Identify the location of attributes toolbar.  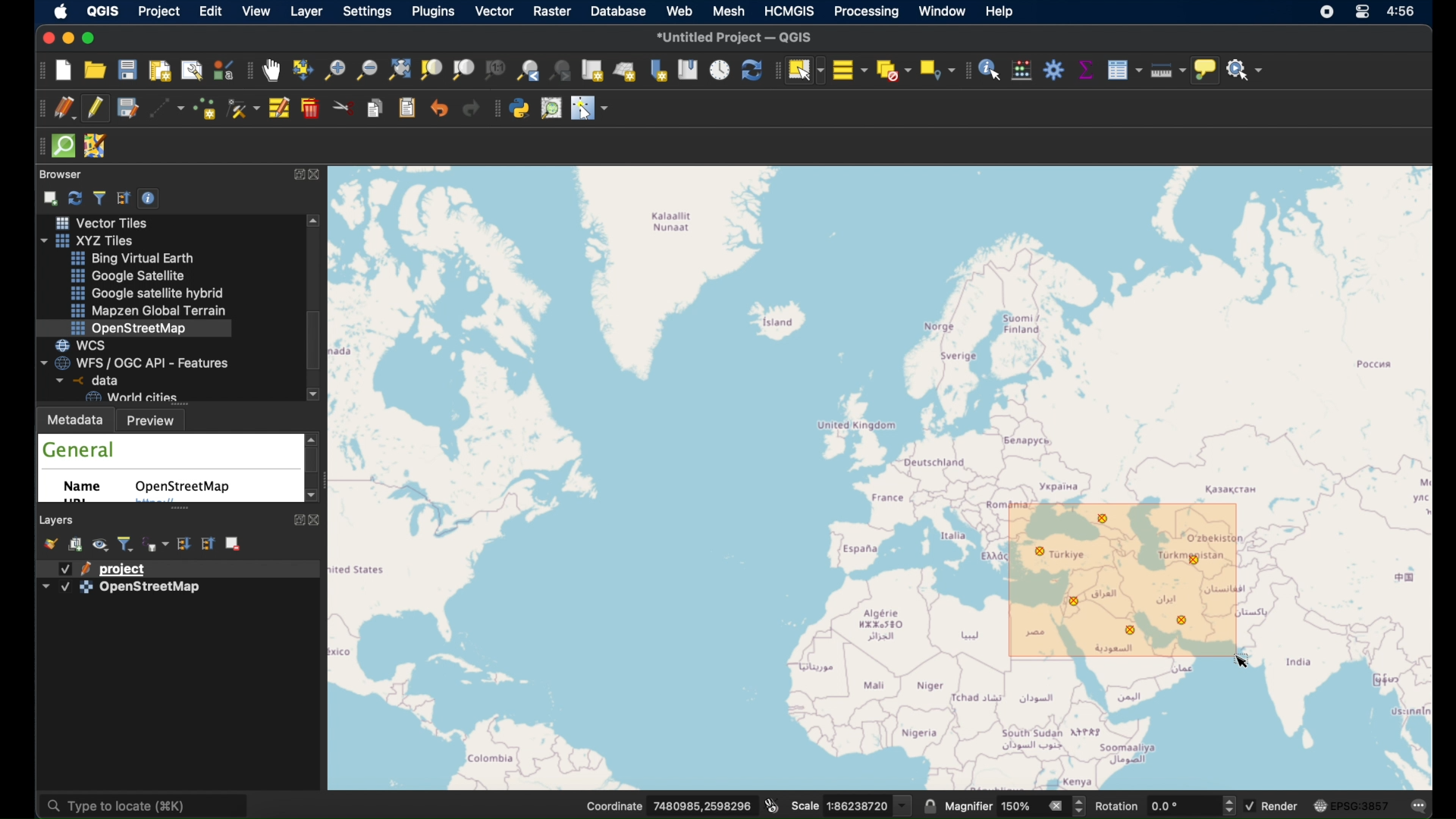
(966, 71).